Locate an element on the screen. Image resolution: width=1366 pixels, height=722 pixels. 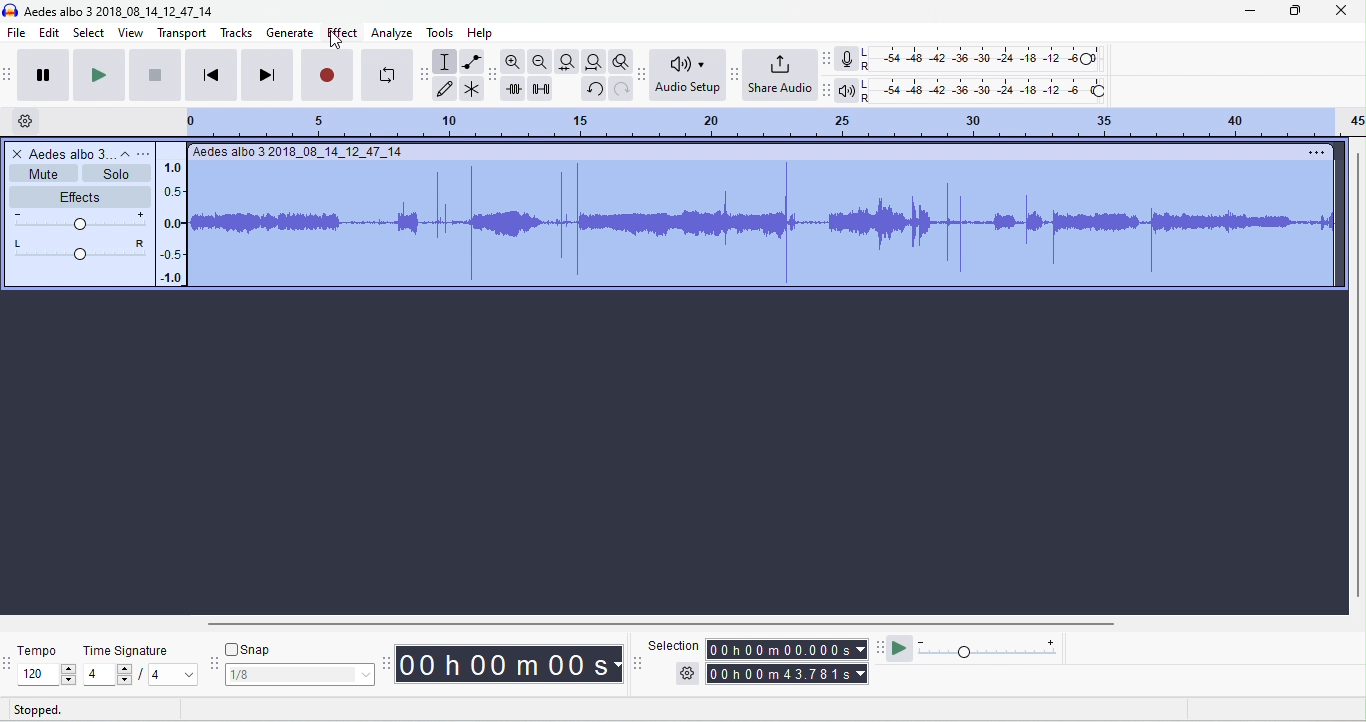
fit project to width is located at coordinates (593, 61).